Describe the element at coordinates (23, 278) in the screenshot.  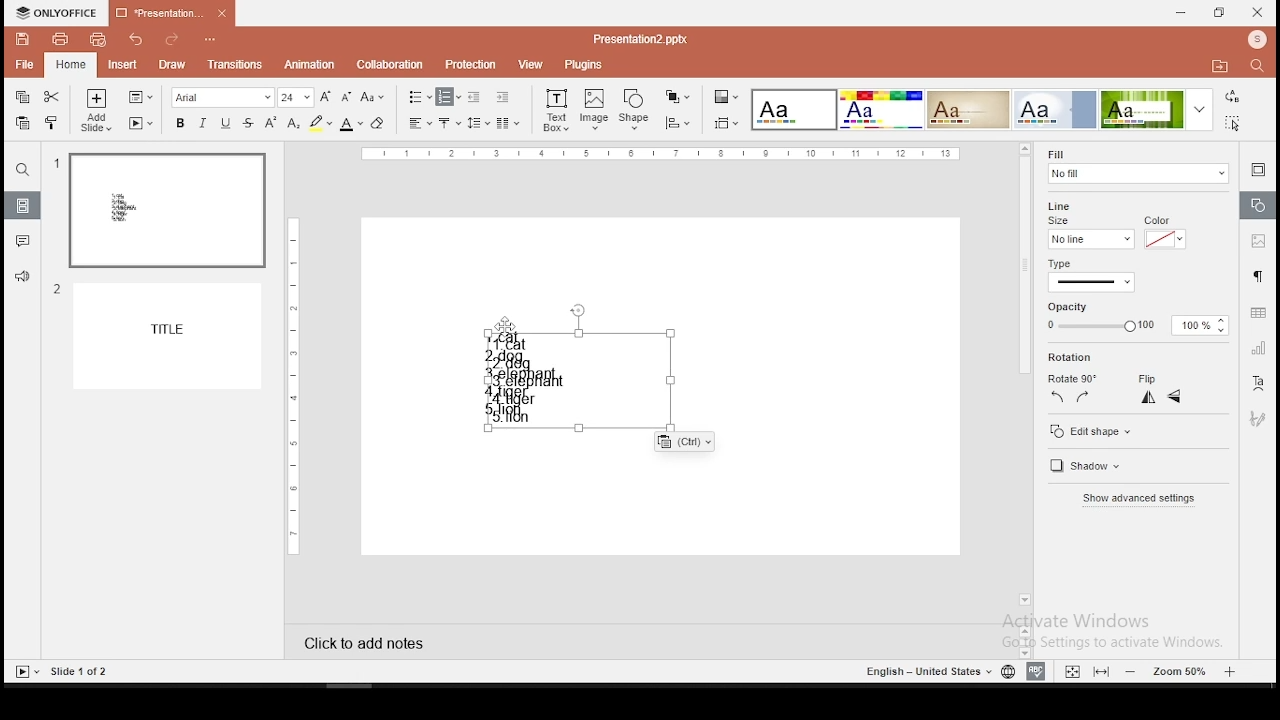
I see `support and feedback` at that location.